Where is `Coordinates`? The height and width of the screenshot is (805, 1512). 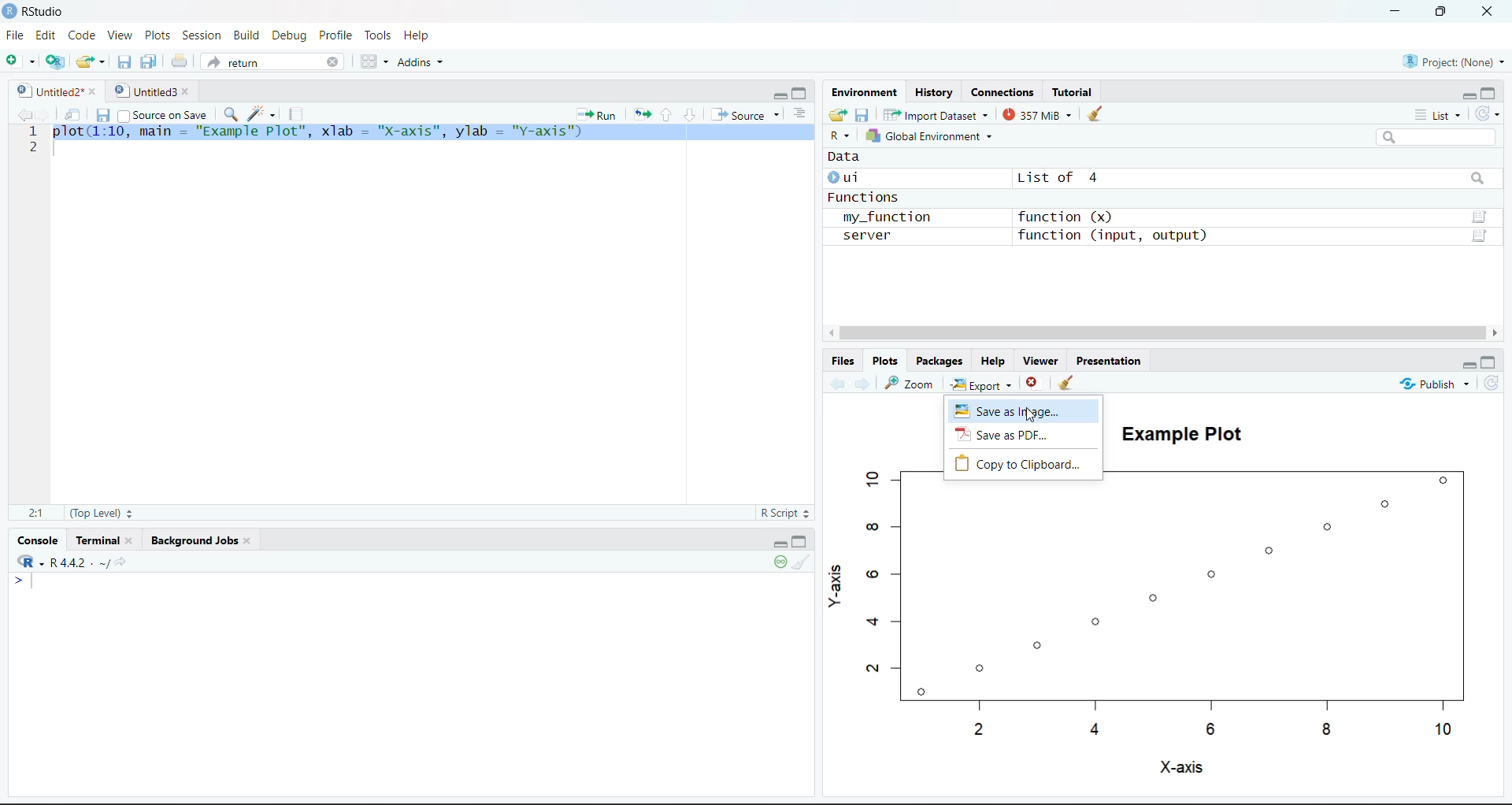
Coordinates is located at coordinates (1004, 91).